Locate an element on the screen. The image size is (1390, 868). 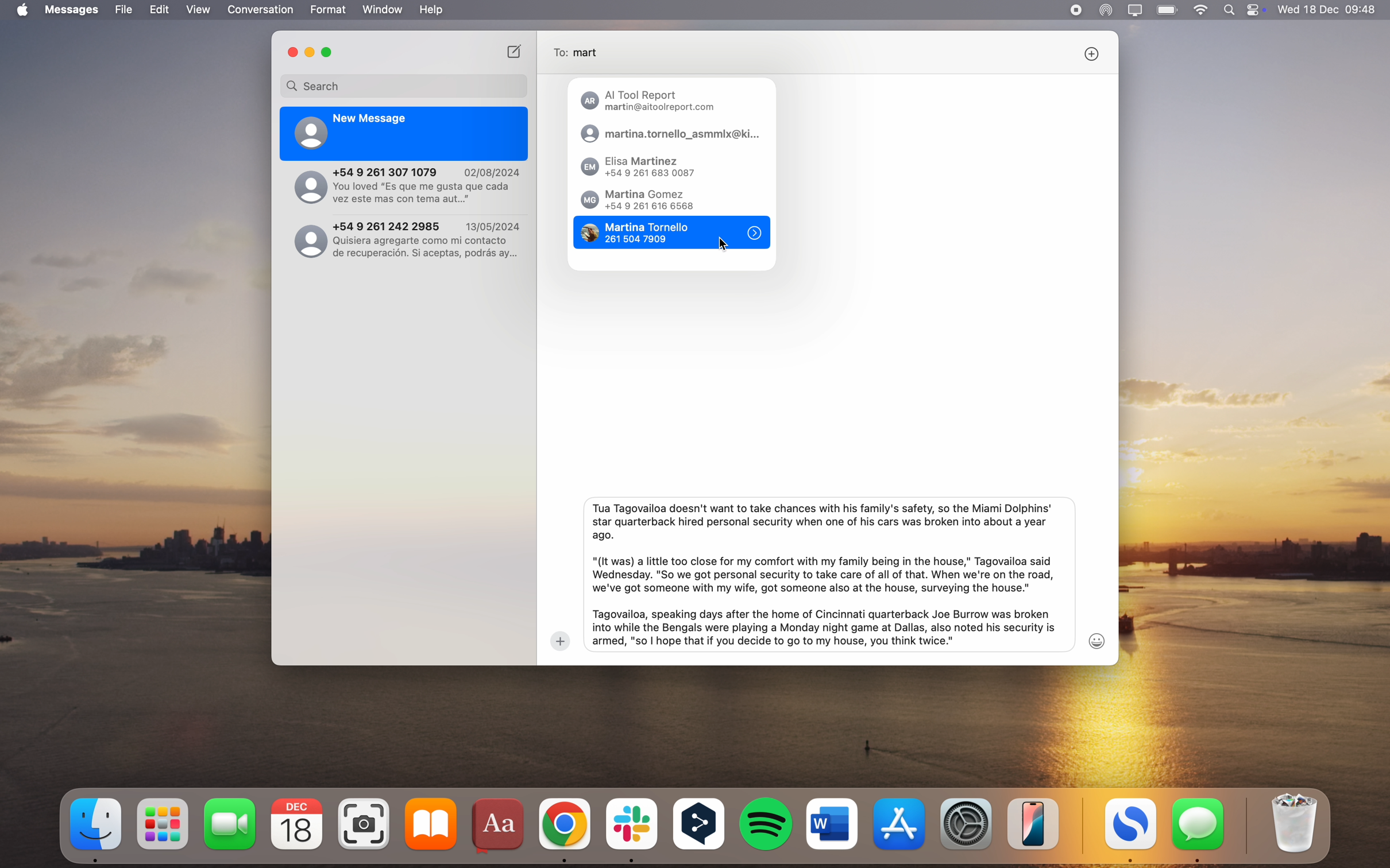
add is located at coordinates (560, 641).